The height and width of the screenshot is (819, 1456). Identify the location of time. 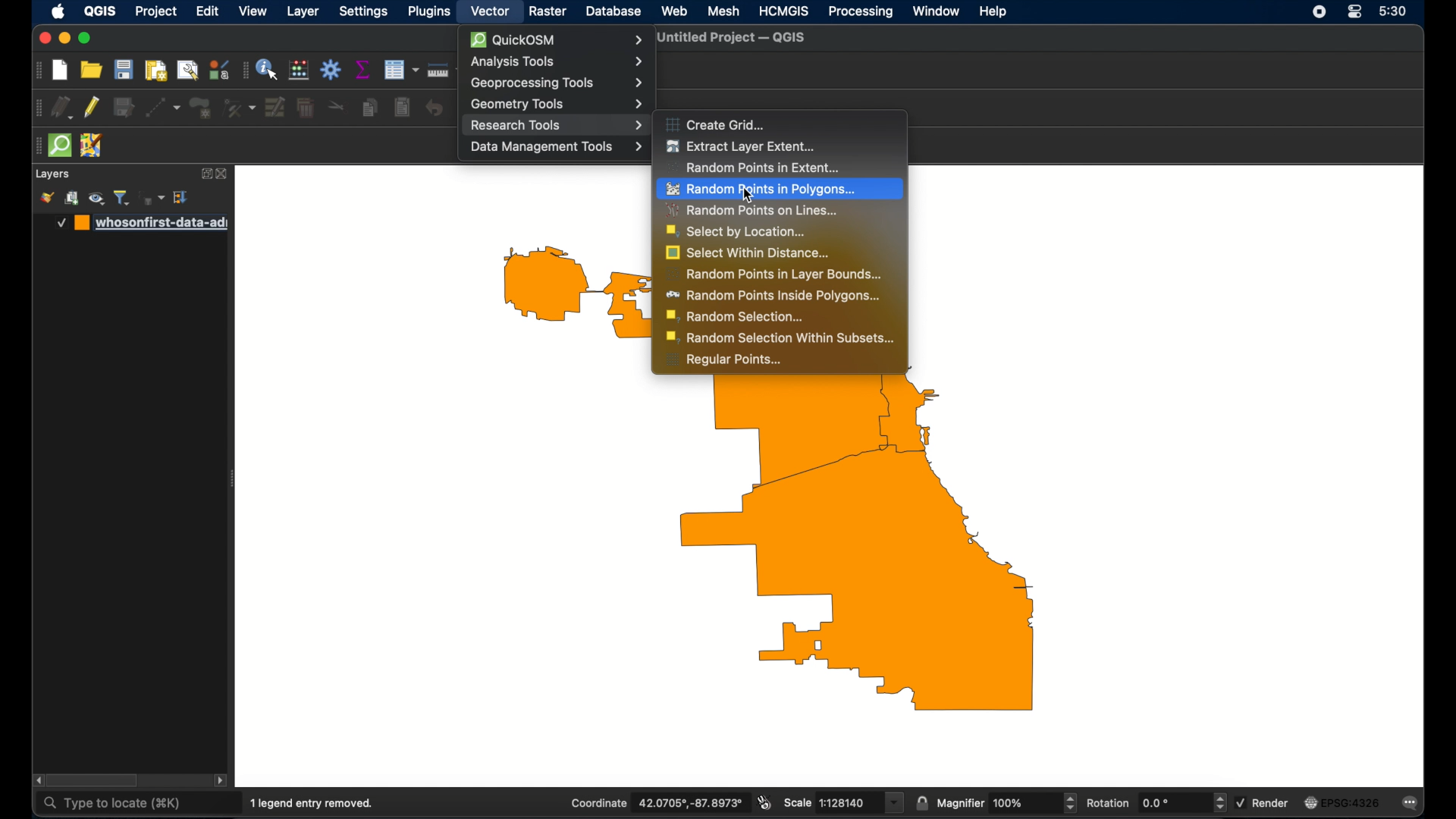
(1393, 11).